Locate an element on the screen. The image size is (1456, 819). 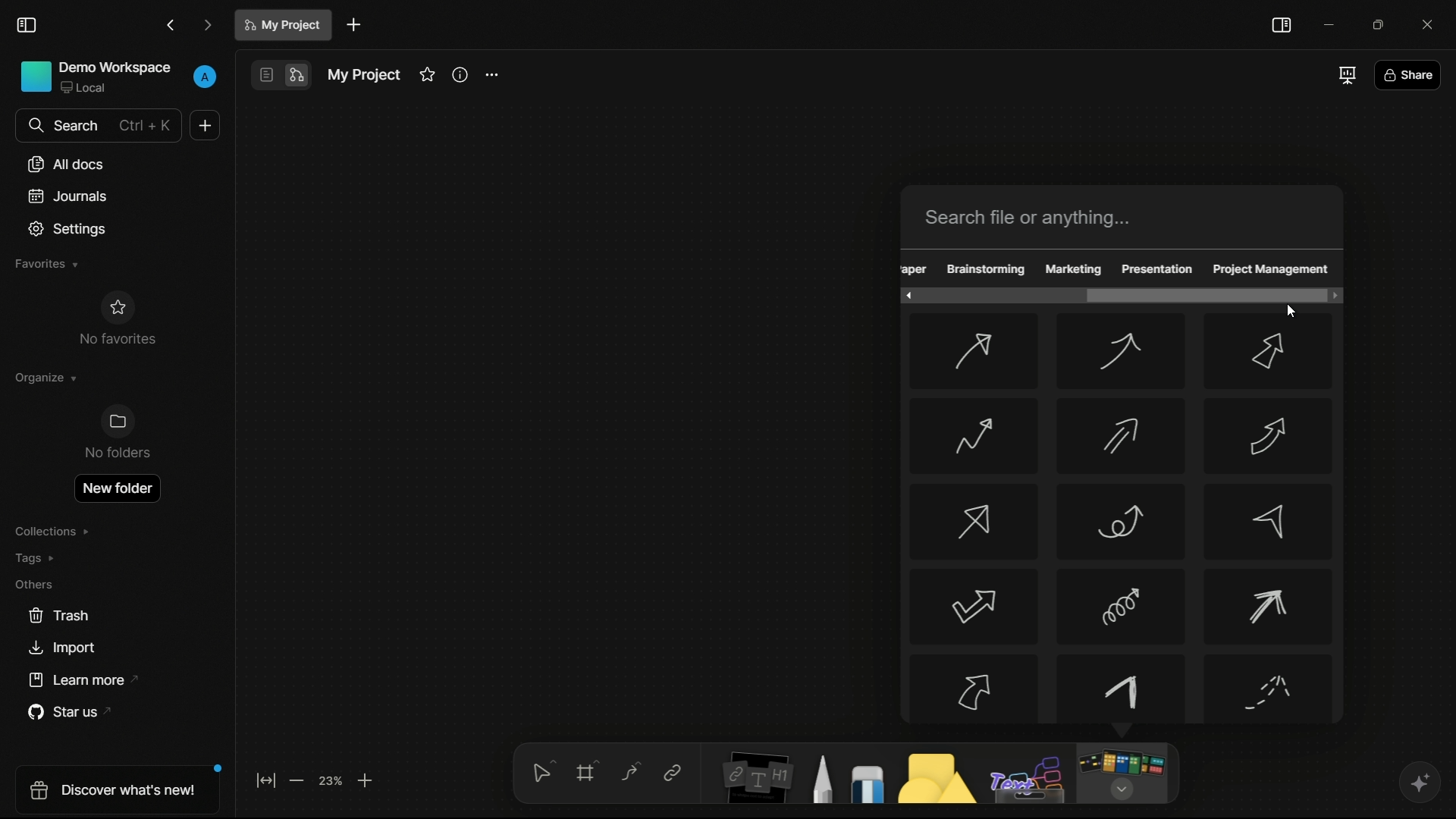
tags is located at coordinates (36, 558).